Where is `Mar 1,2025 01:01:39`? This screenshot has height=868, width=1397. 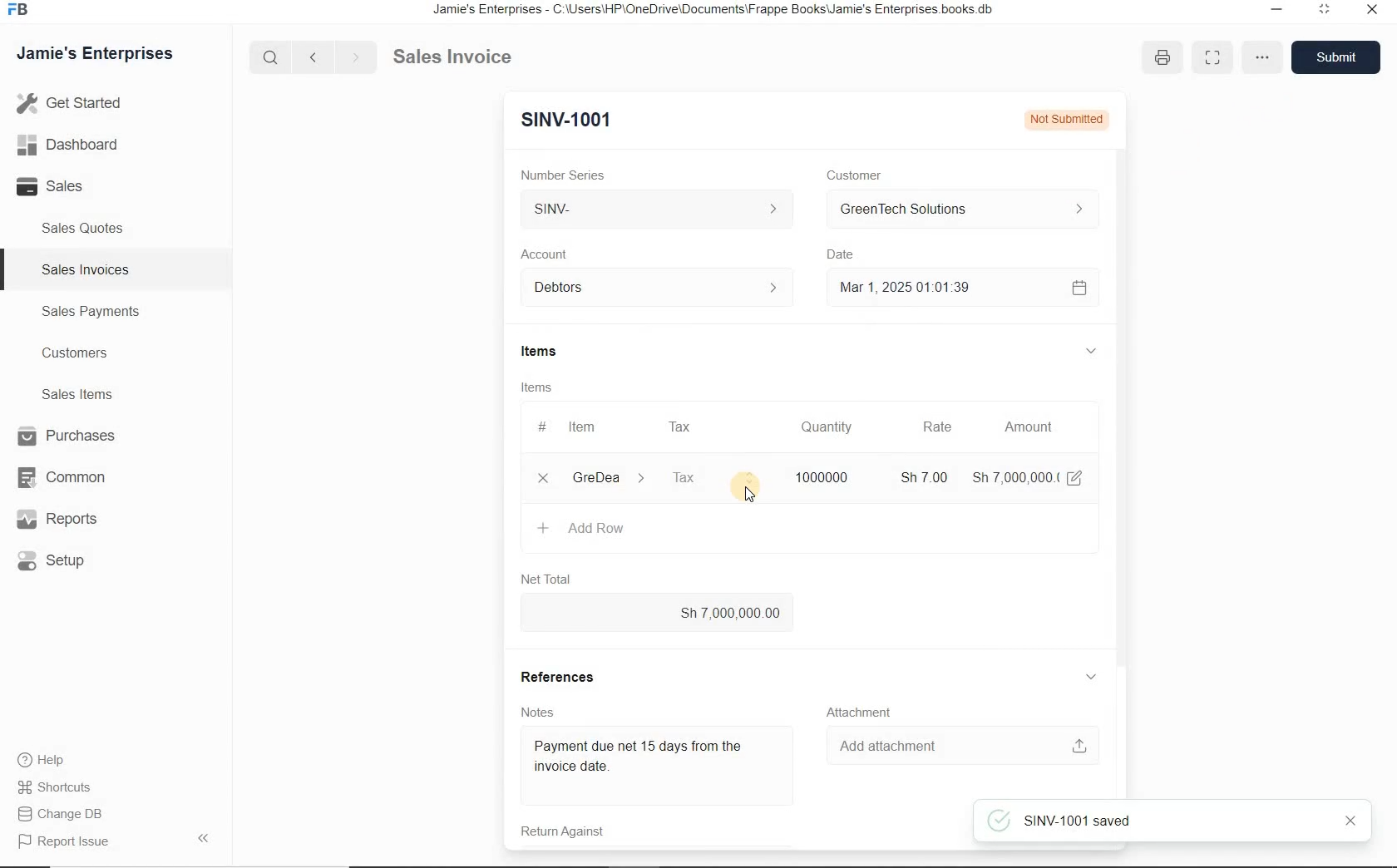 Mar 1,2025 01:01:39 is located at coordinates (940, 288).